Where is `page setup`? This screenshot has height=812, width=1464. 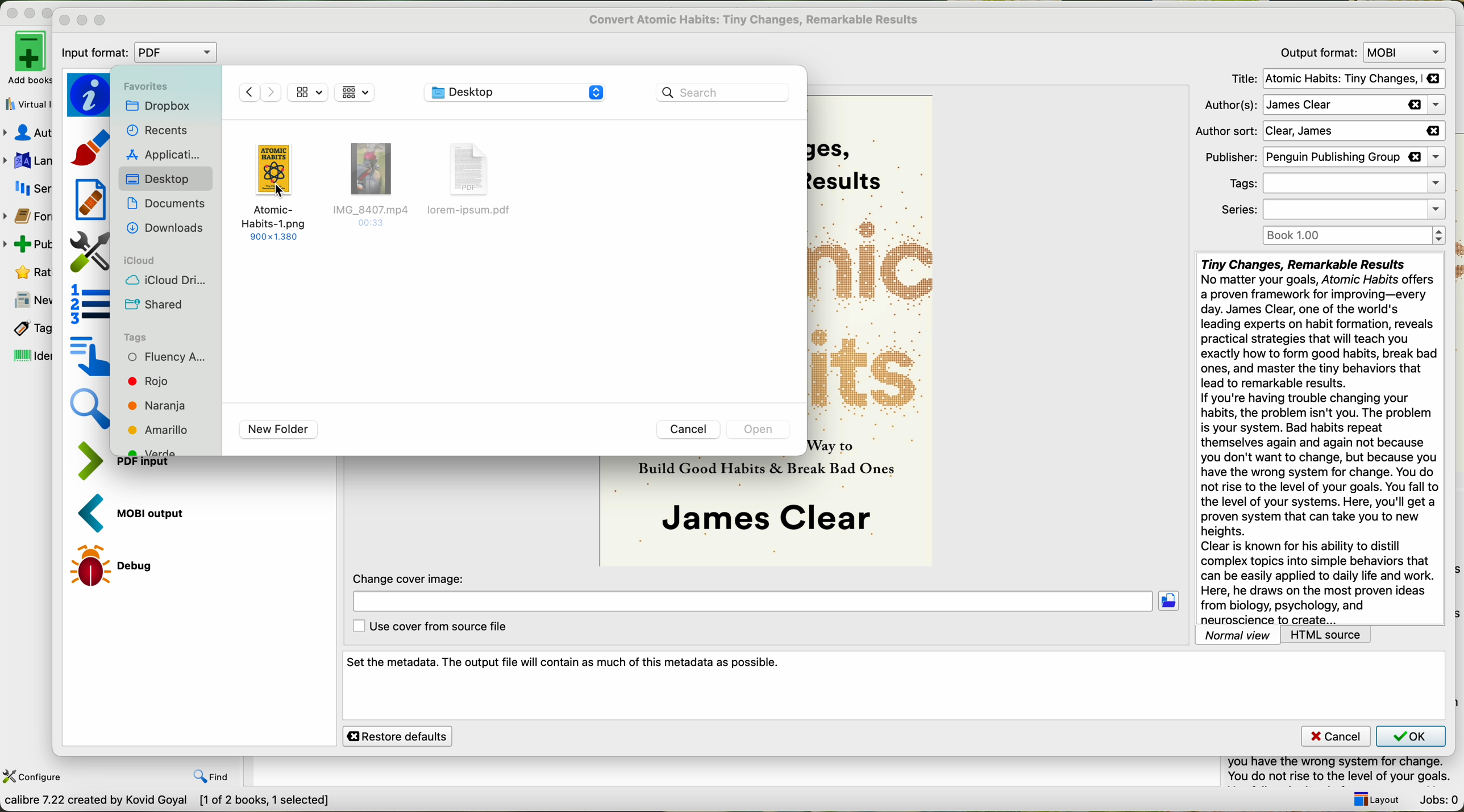
page setup is located at coordinates (89, 252).